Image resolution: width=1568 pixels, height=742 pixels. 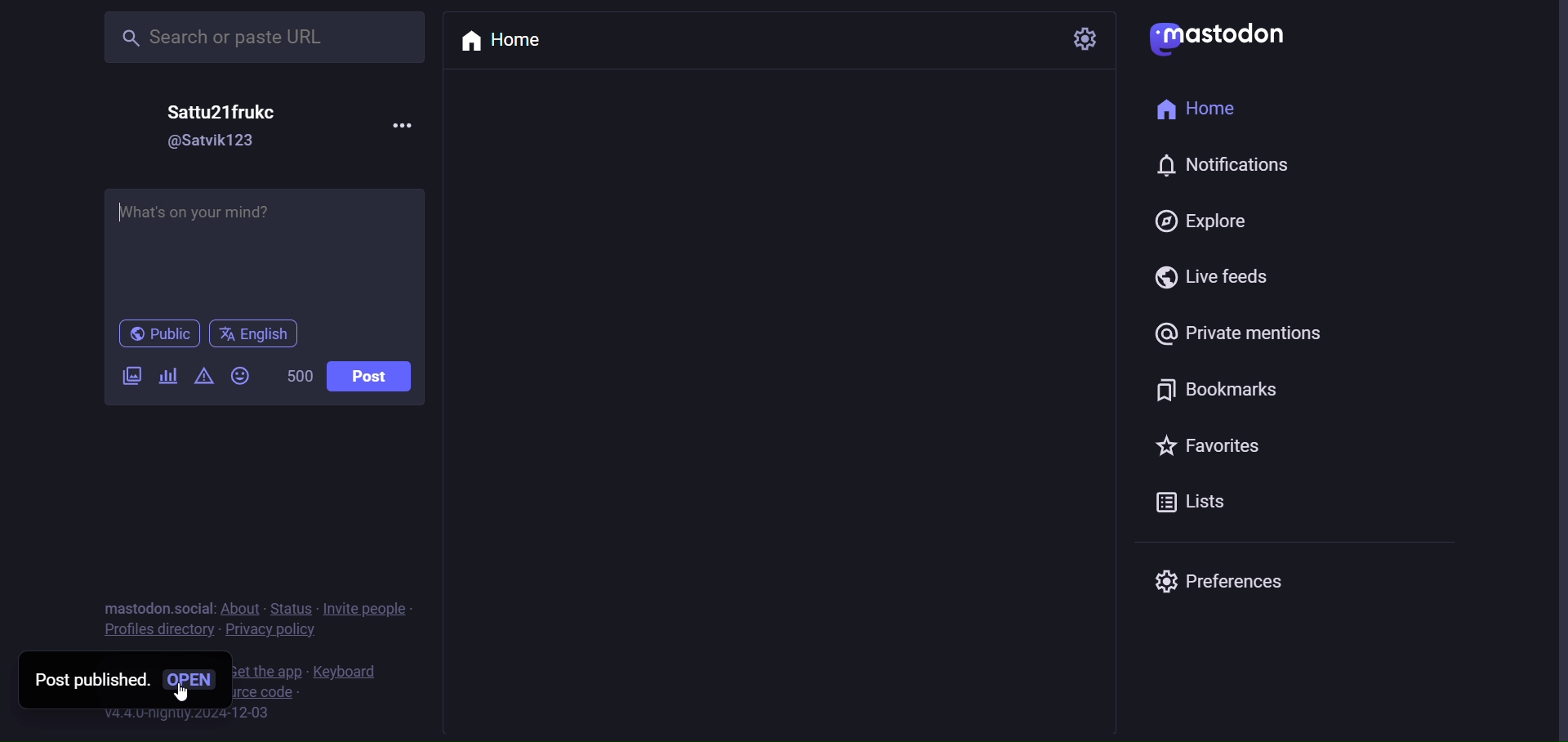 I want to click on id, so click(x=213, y=145).